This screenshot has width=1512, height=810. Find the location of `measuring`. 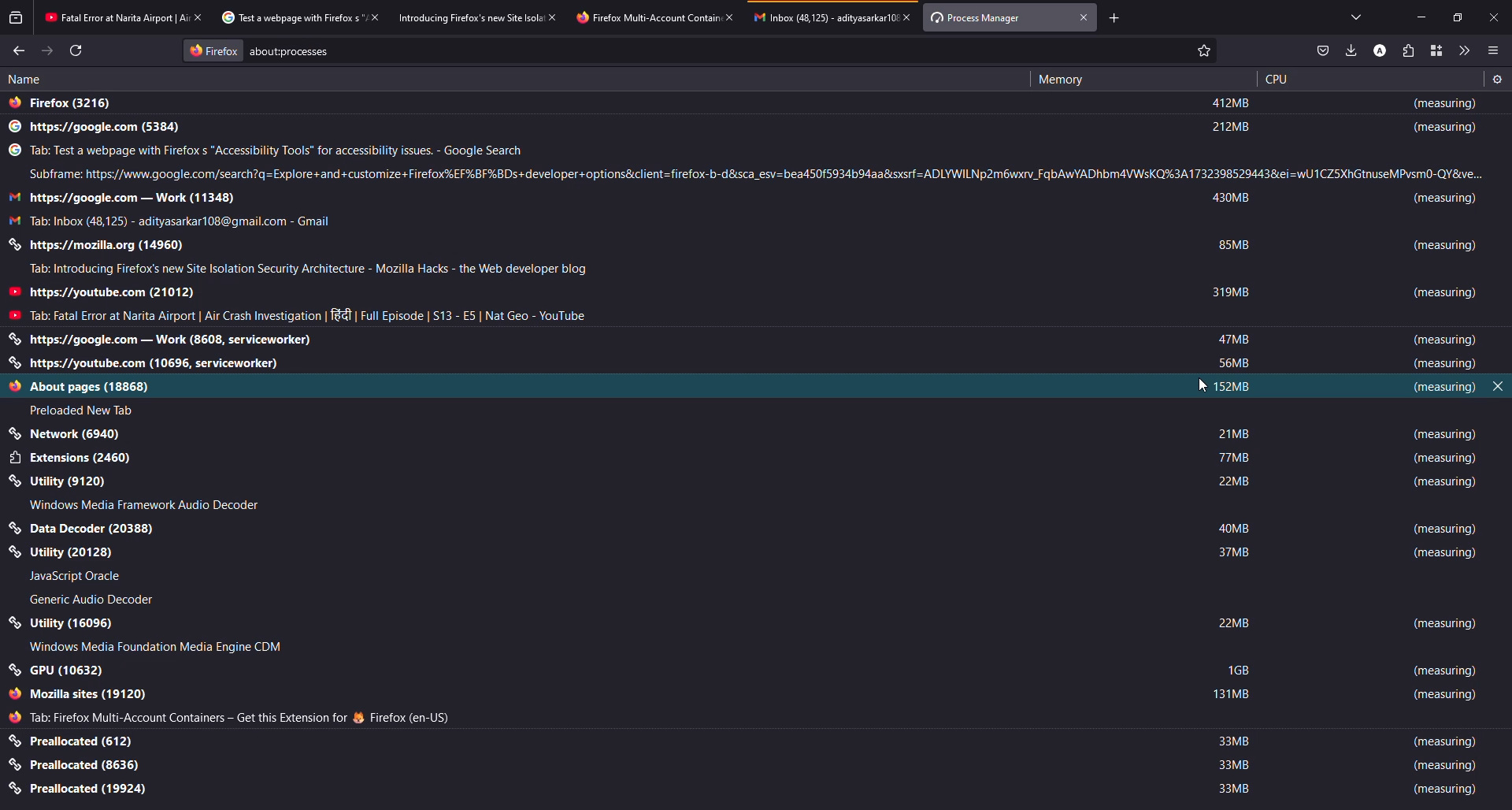

measuring is located at coordinates (1440, 529).